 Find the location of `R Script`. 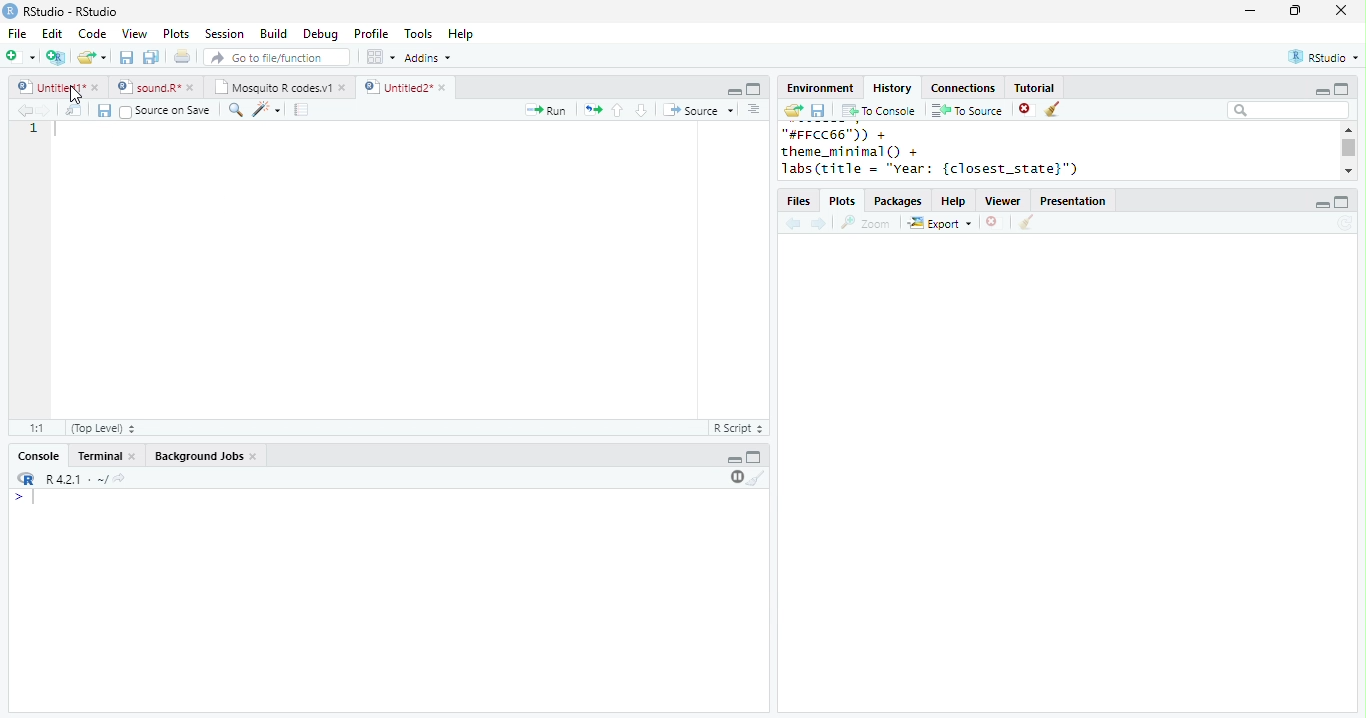

R Script is located at coordinates (739, 427).